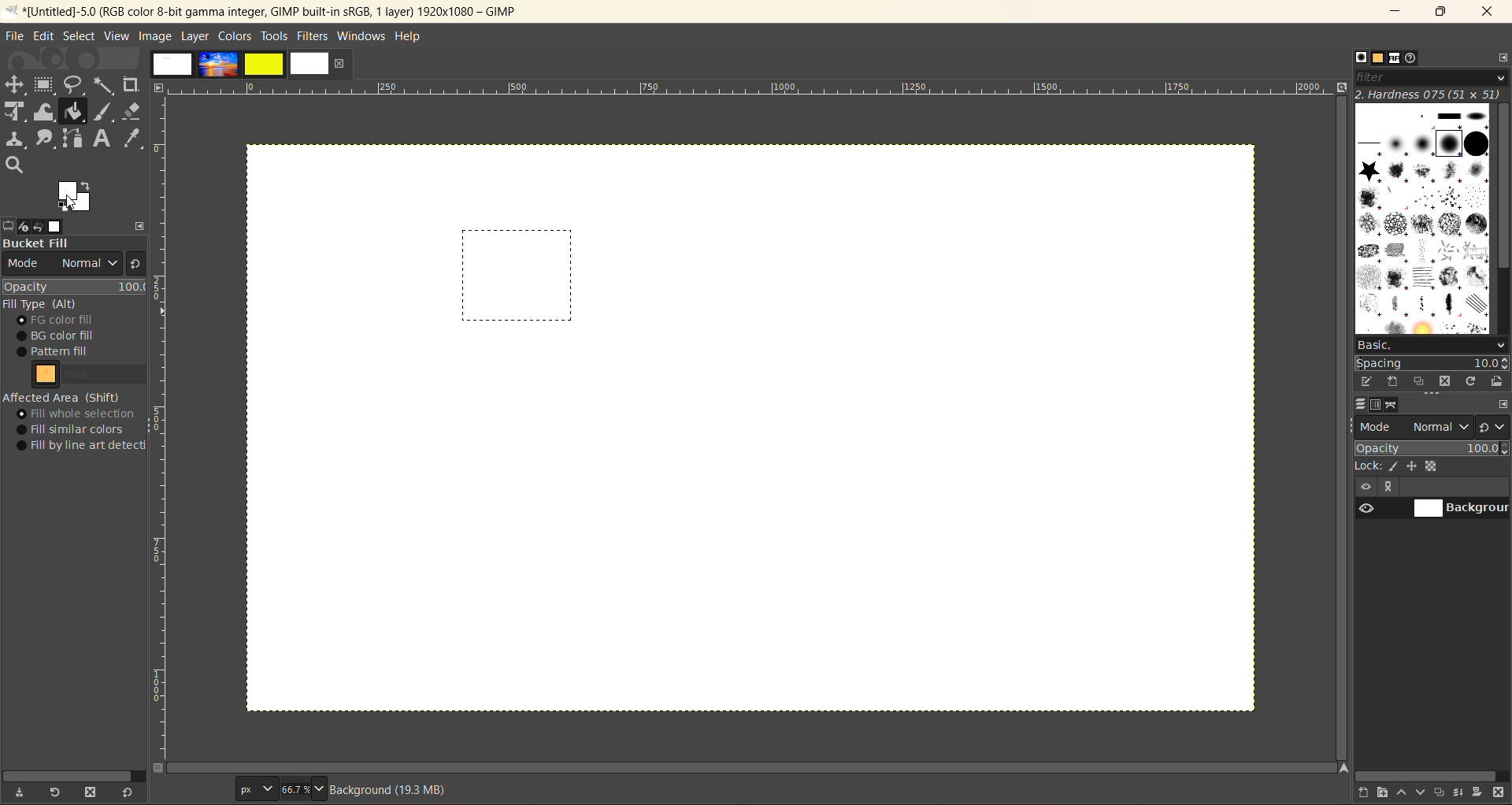 The image size is (1512, 805). I want to click on close, so click(1491, 11).